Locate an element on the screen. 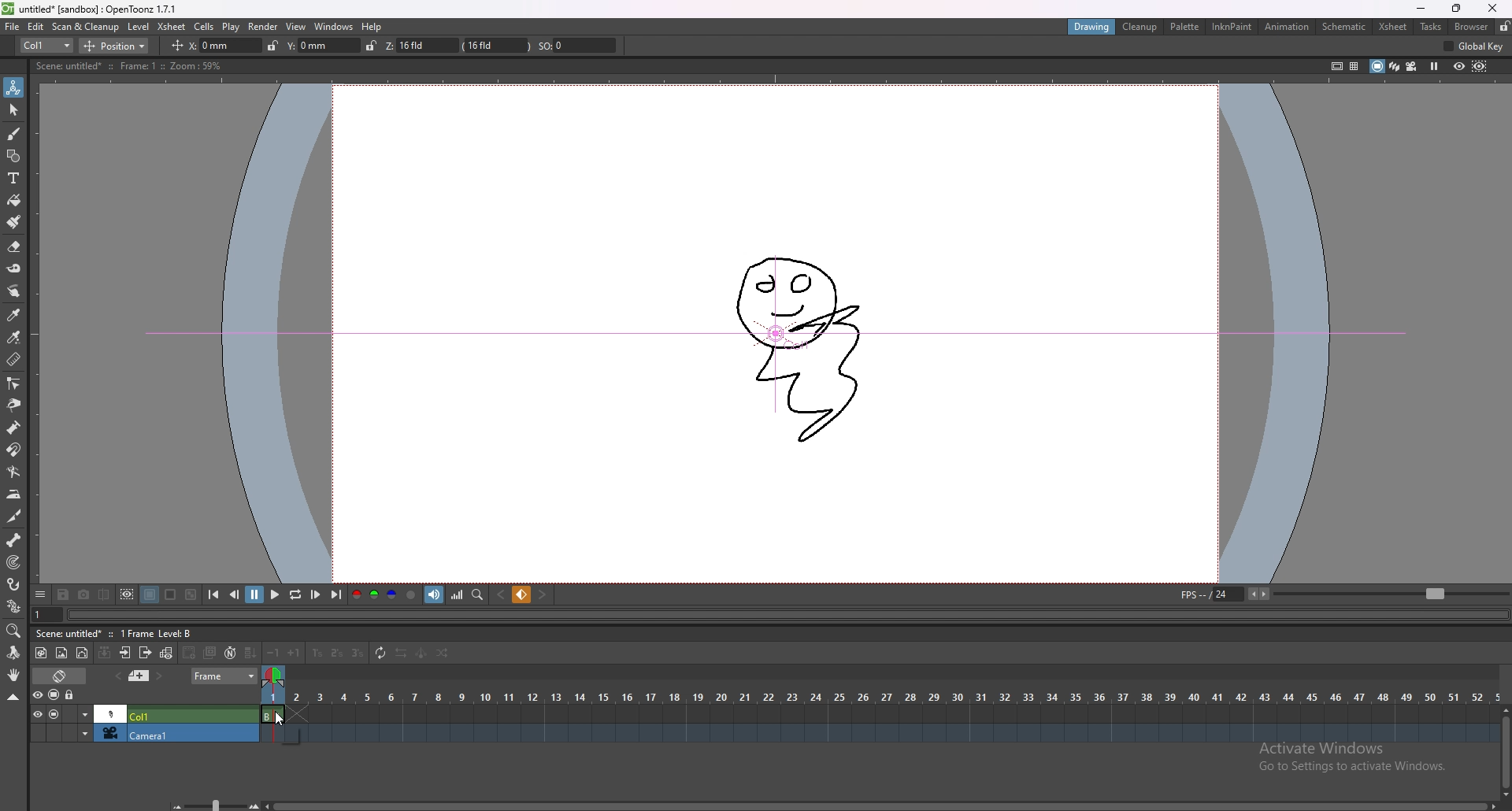 The width and height of the screenshot is (1512, 811). schematic is located at coordinates (1344, 26).